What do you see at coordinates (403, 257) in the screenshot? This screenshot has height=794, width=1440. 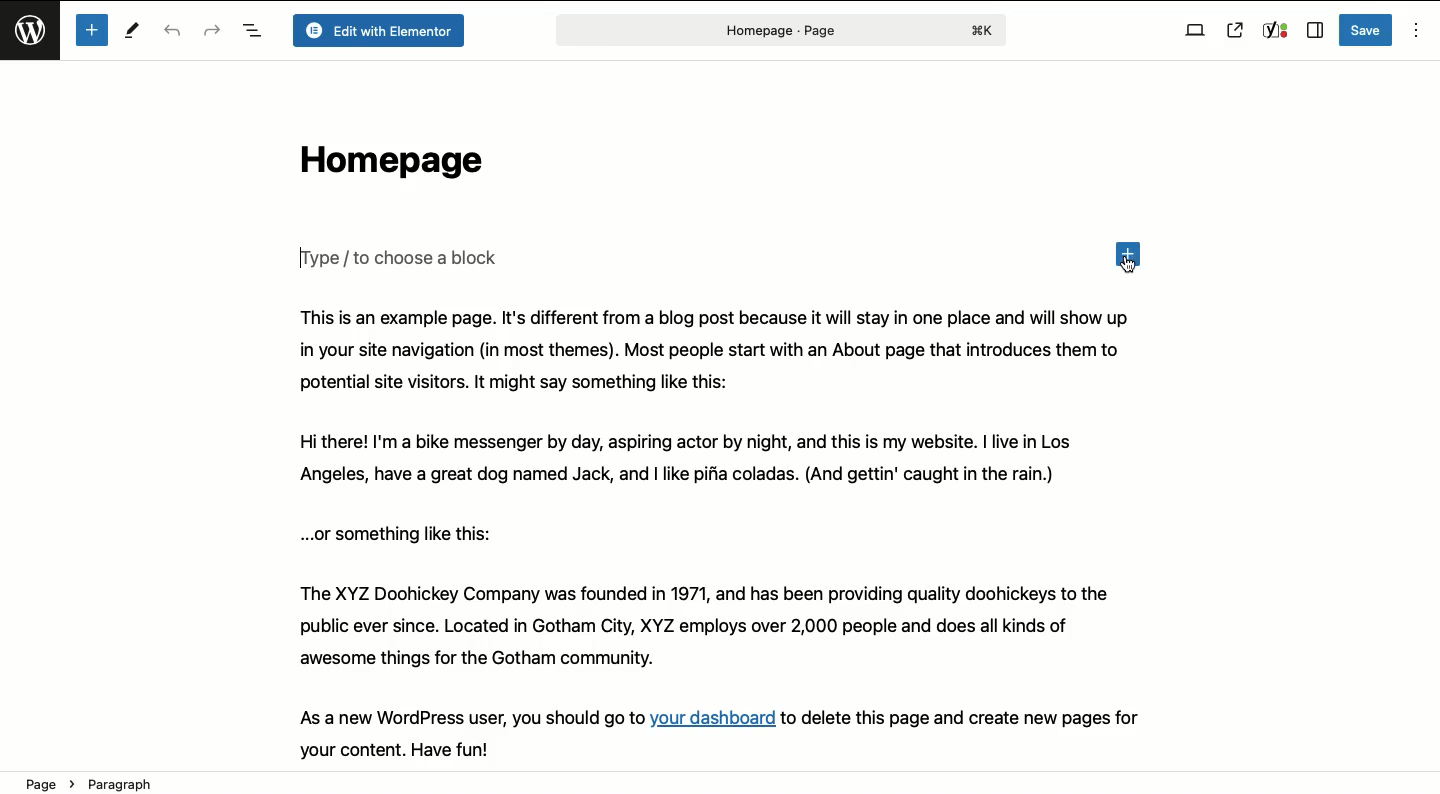 I see `Choose a block` at bounding box center [403, 257].